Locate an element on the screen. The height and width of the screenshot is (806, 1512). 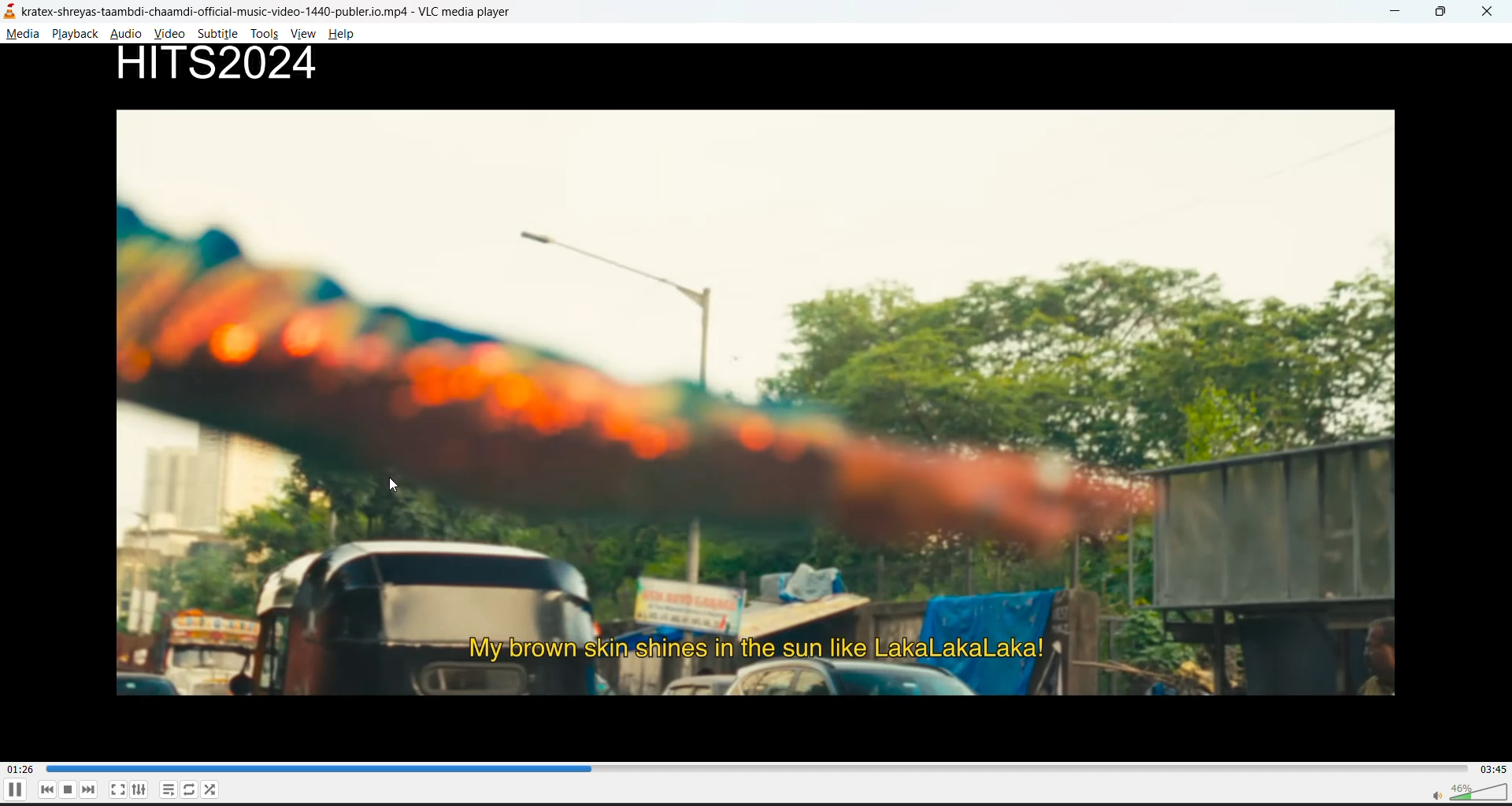
subtitle is located at coordinates (220, 35).